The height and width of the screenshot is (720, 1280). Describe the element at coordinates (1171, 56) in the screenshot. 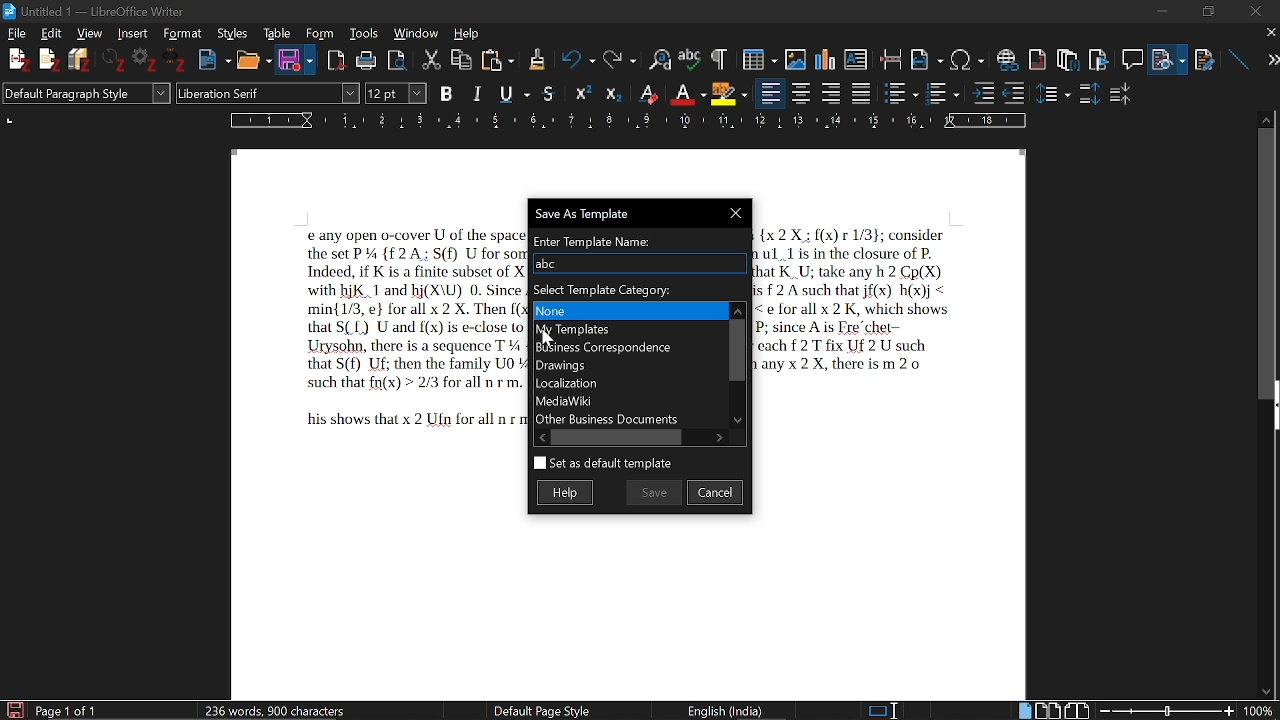

I see `File` at that location.